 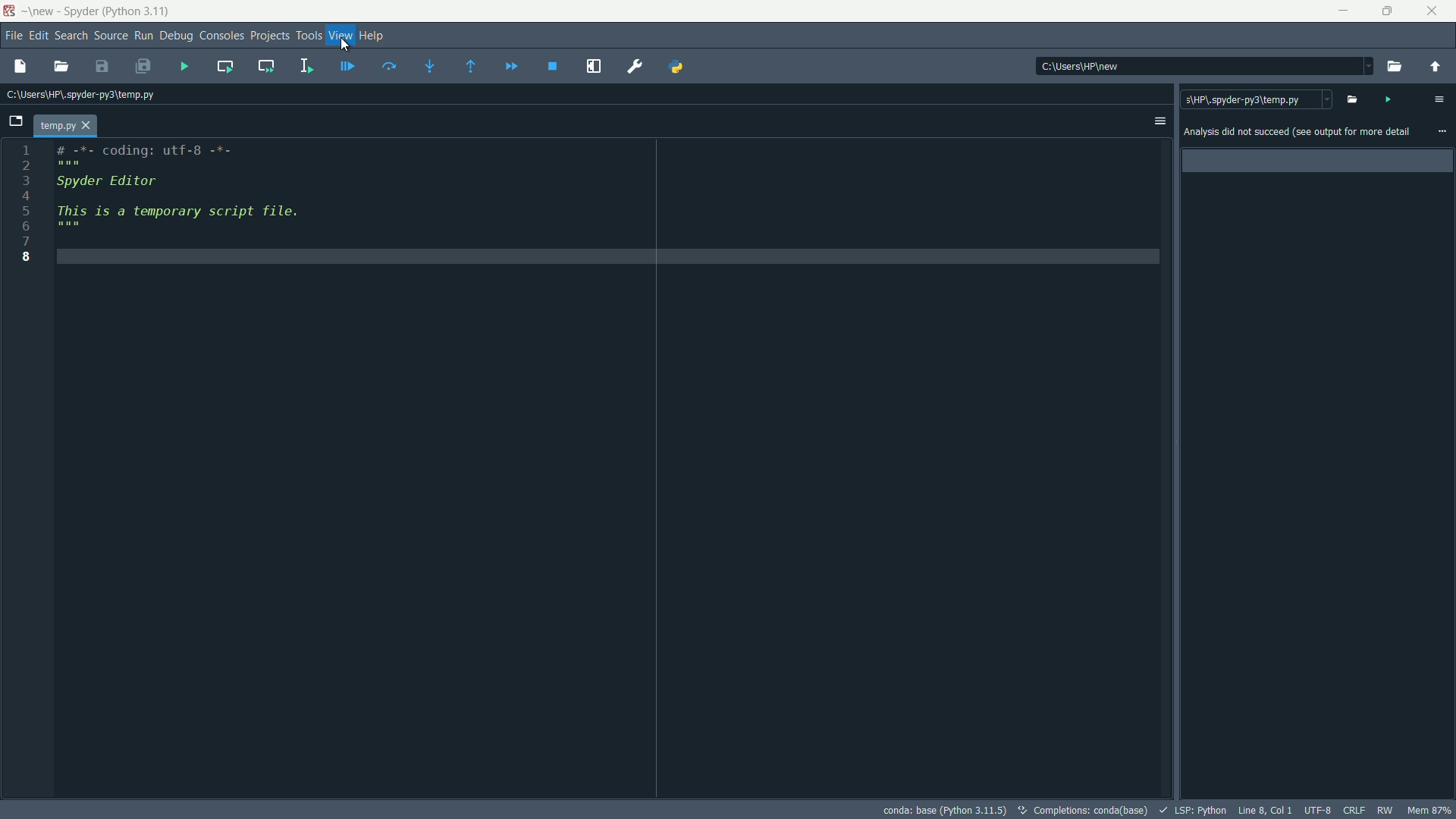 What do you see at coordinates (1439, 99) in the screenshot?
I see `code analysis pane settings` at bounding box center [1439, 99].